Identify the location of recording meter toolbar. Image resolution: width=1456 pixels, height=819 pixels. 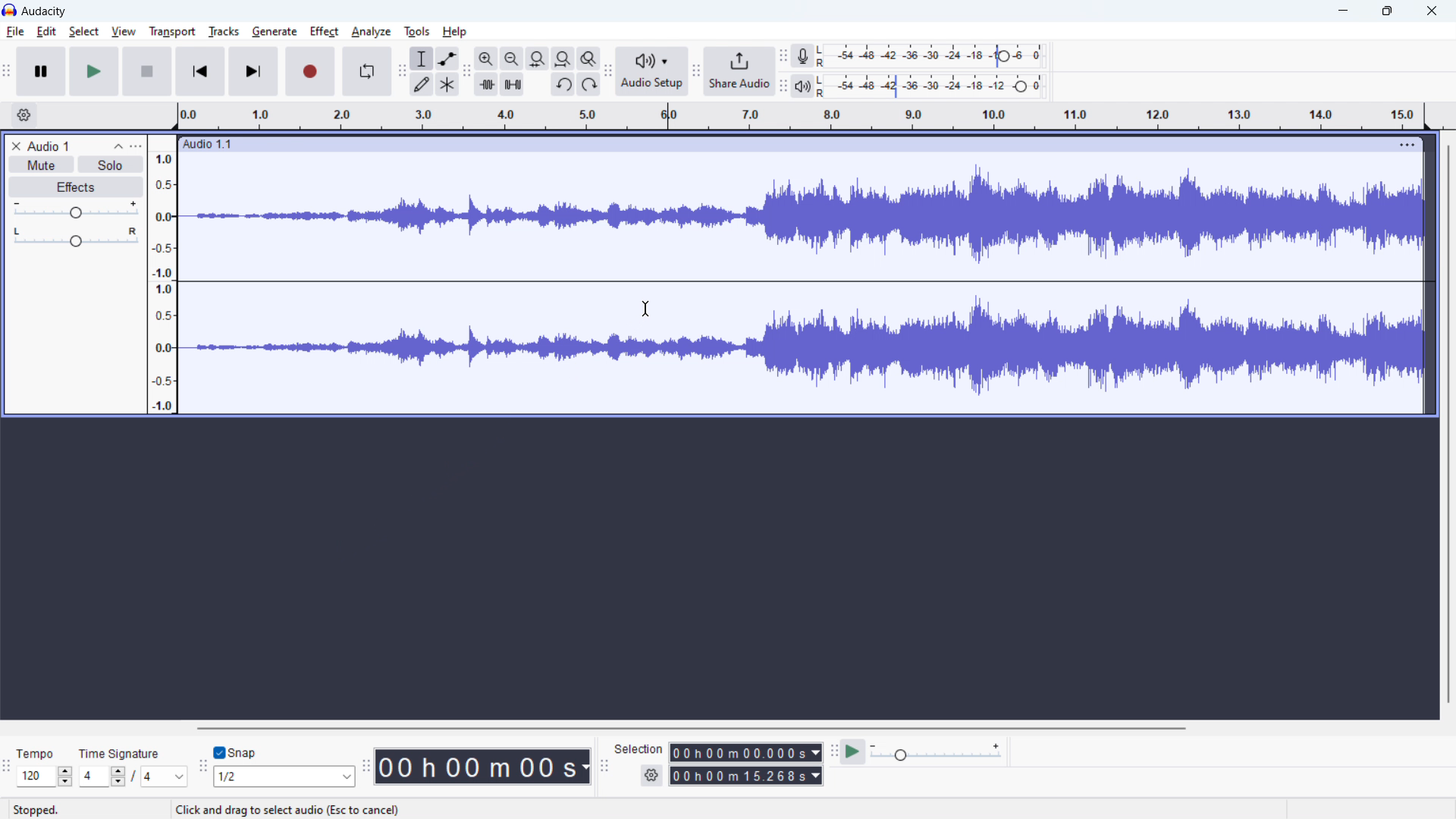
(783, 56).